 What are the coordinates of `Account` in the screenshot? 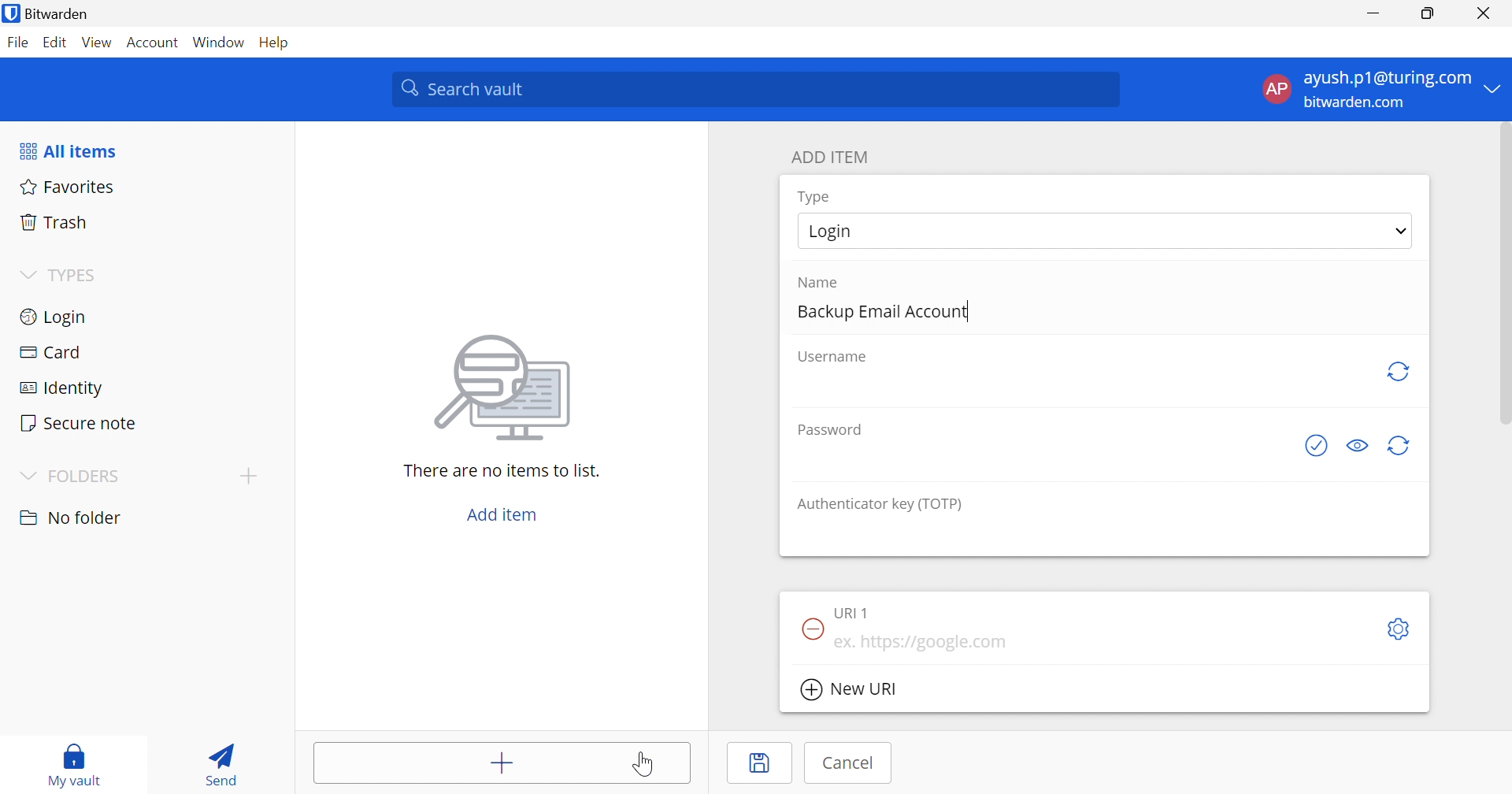 It's located at (154, 40).